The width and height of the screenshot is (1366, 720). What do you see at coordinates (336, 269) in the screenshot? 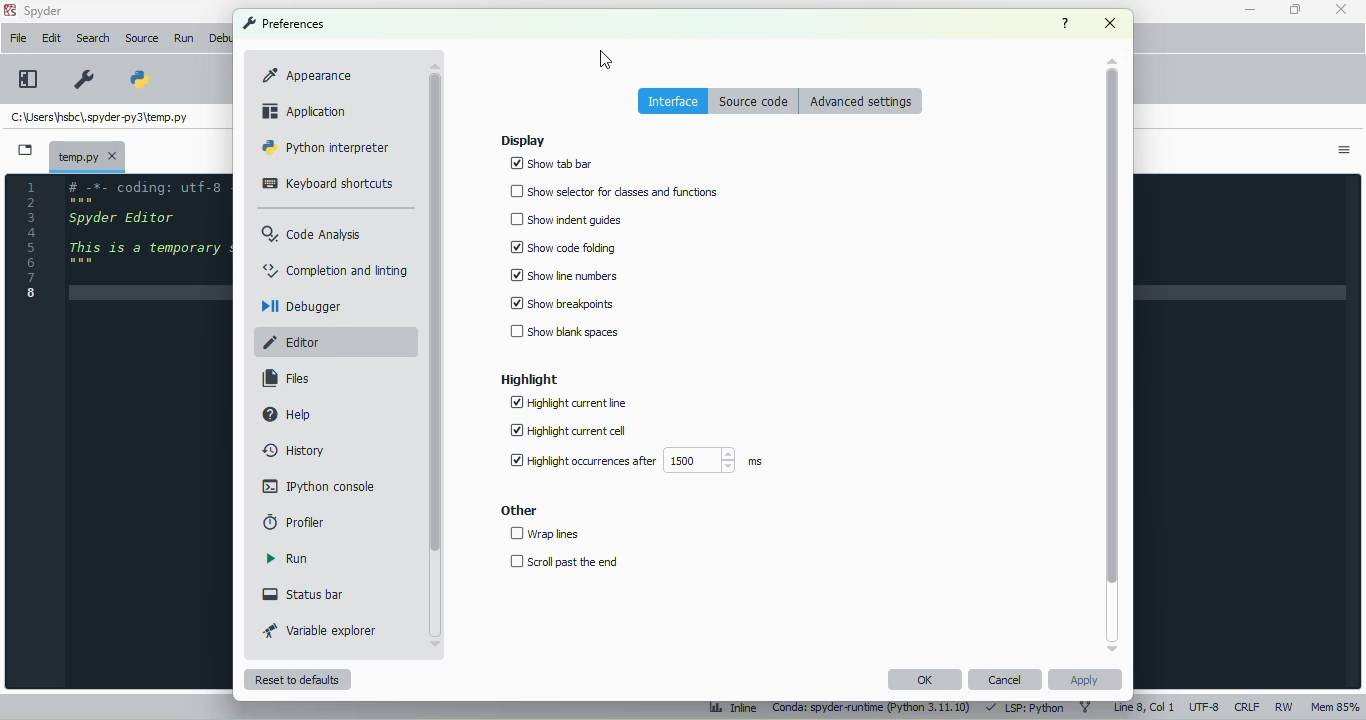
I see `completion and linting` at bounding box center [336, 269].